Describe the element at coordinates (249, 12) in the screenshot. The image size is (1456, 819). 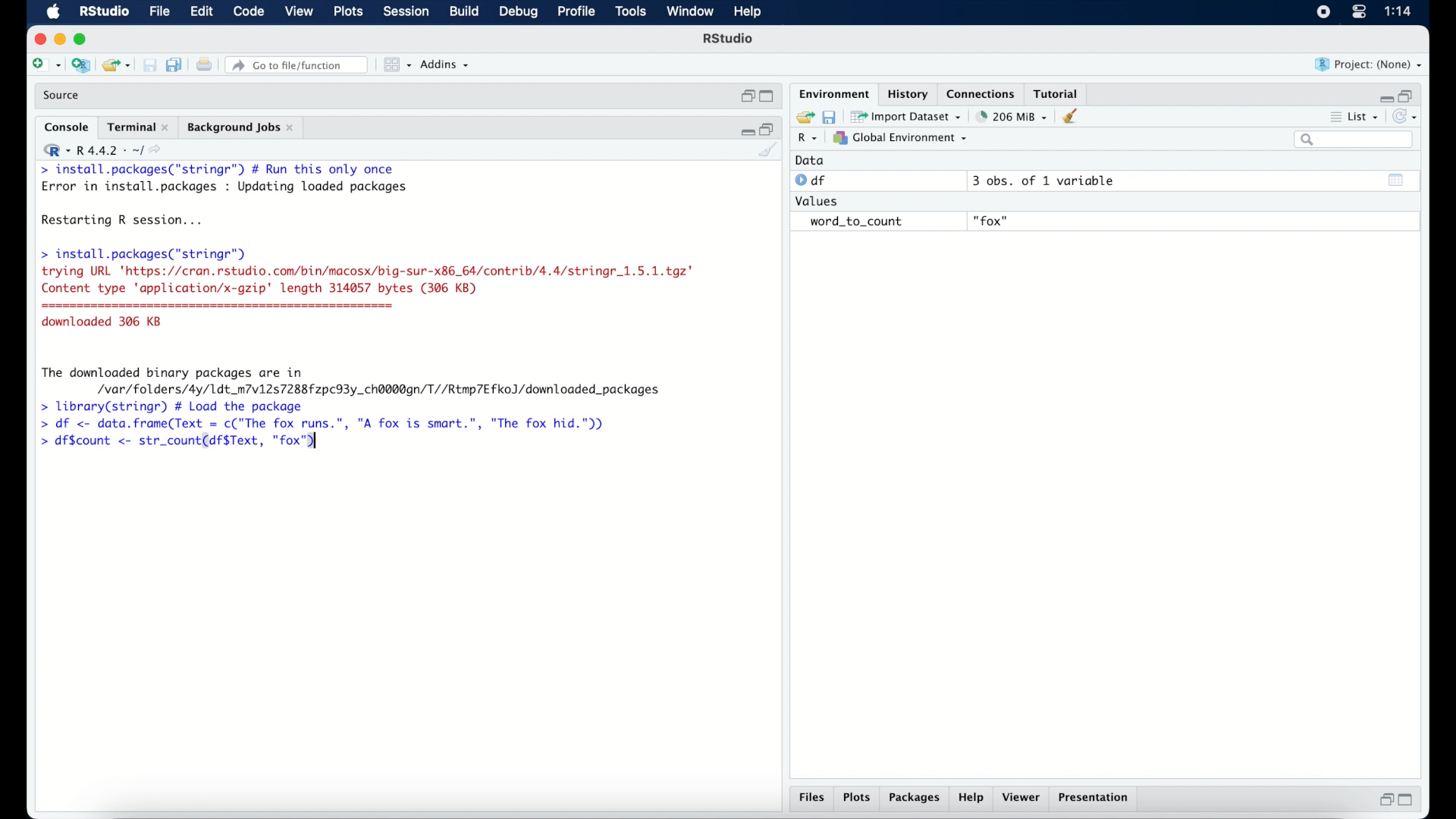
I see `code` at that location.